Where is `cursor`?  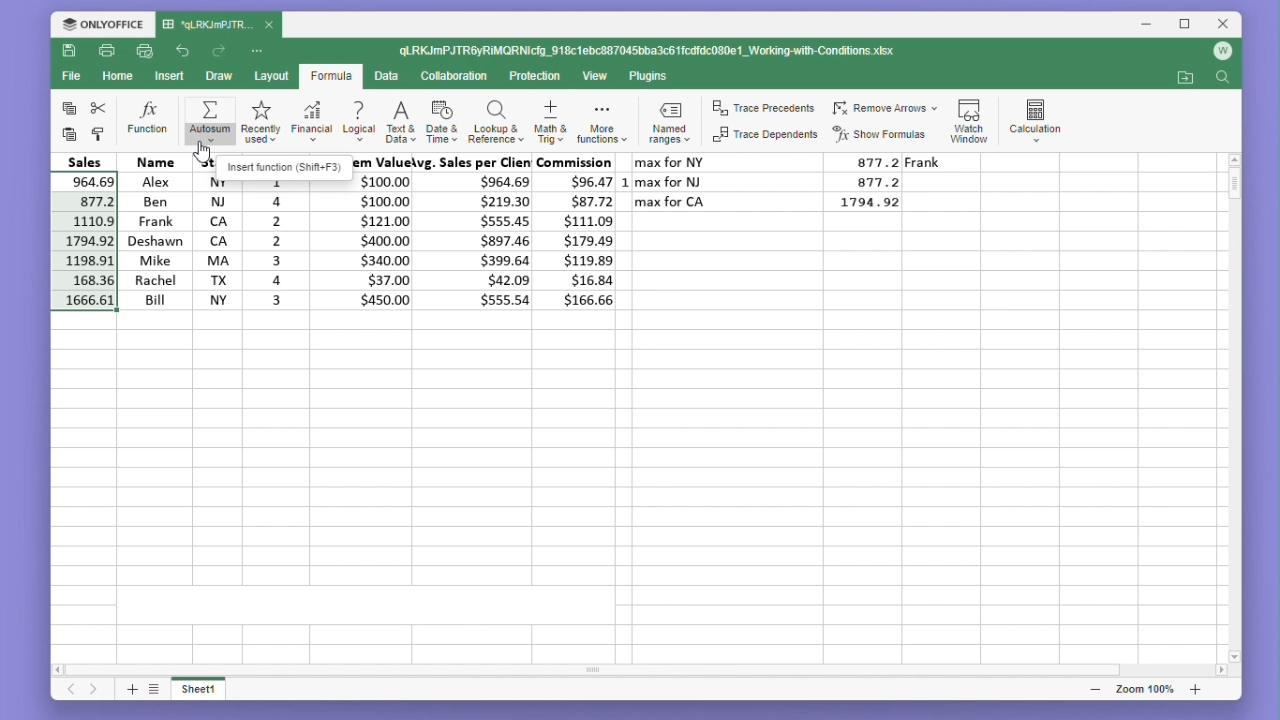 cursor is located at coordinates (202, 152).